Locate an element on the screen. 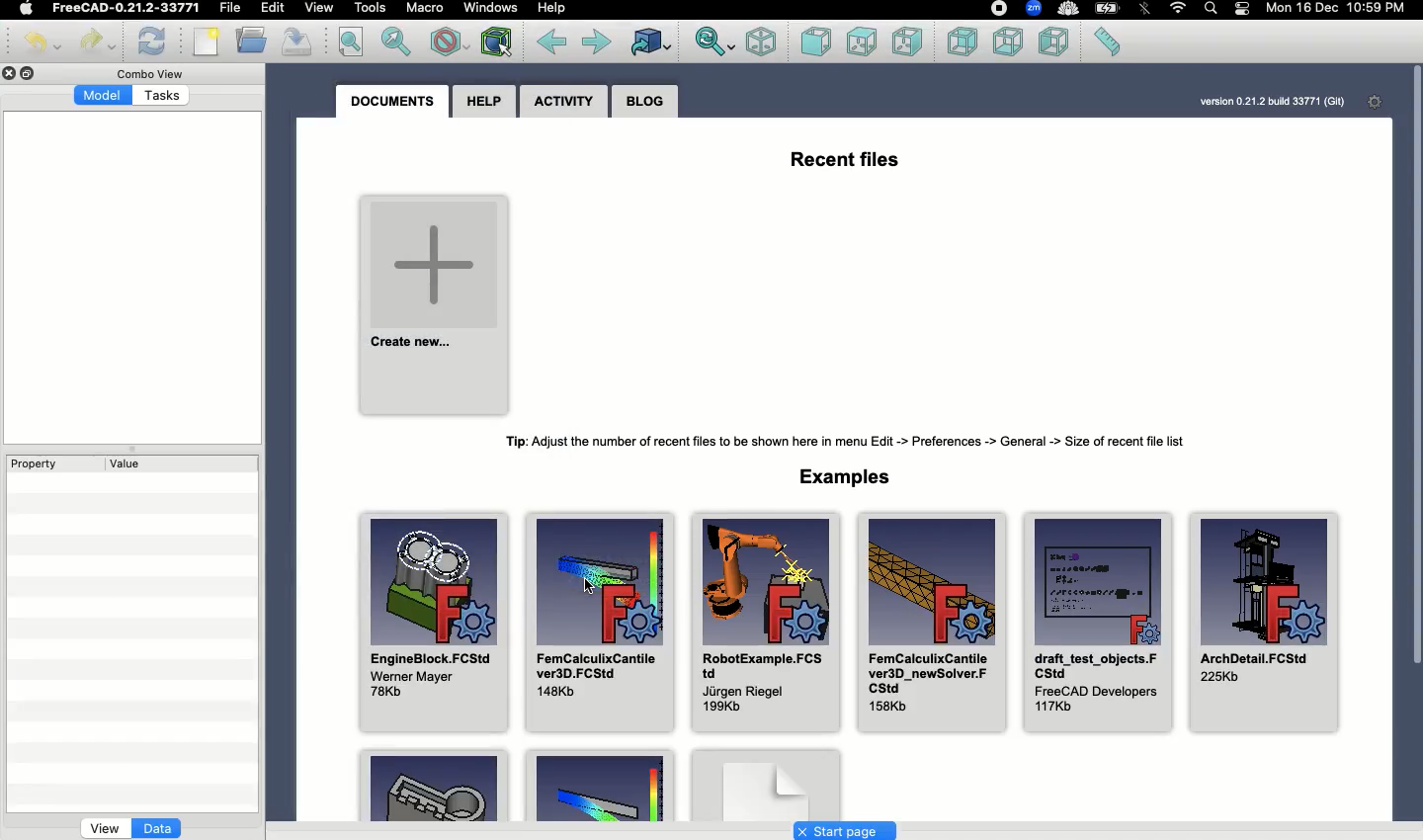 The width and height of the screenshot is (1423, 840). Close is located at coordinates (13, 73).